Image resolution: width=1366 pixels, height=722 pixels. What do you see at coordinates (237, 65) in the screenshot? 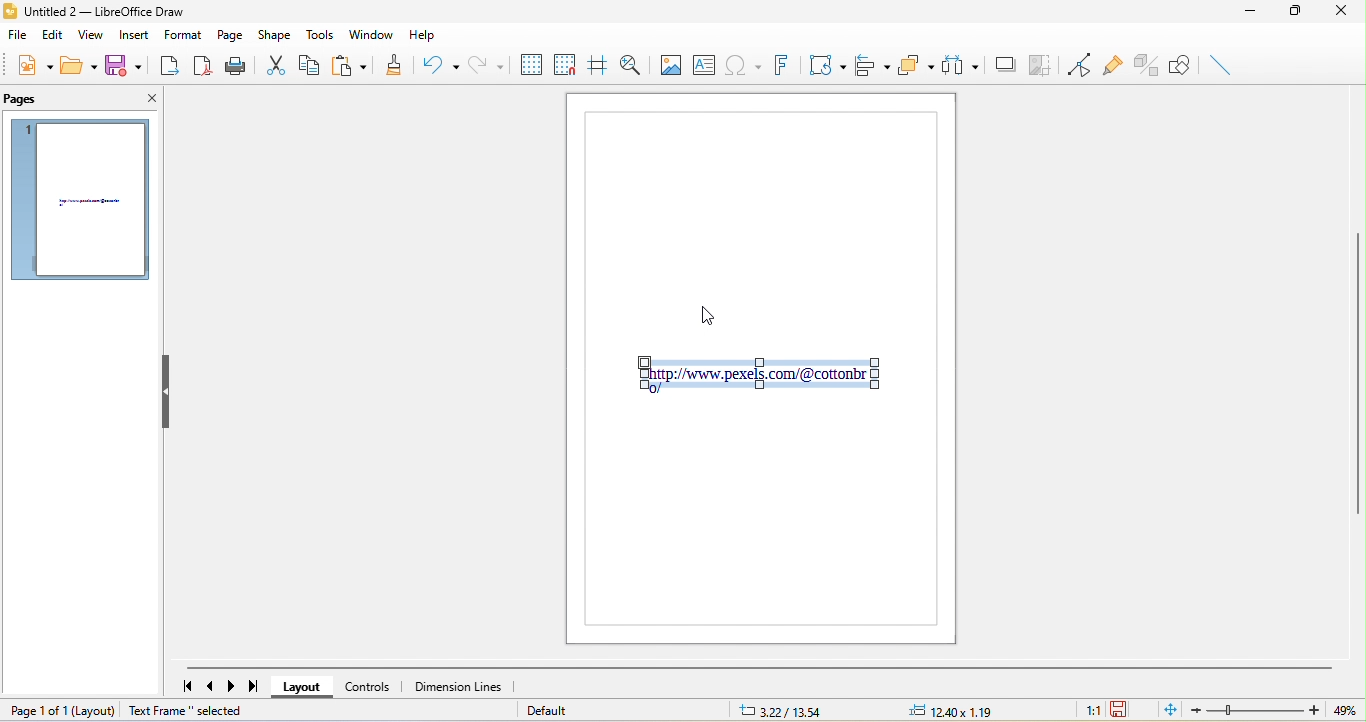
I see `print` at bounding box center [237, 65].